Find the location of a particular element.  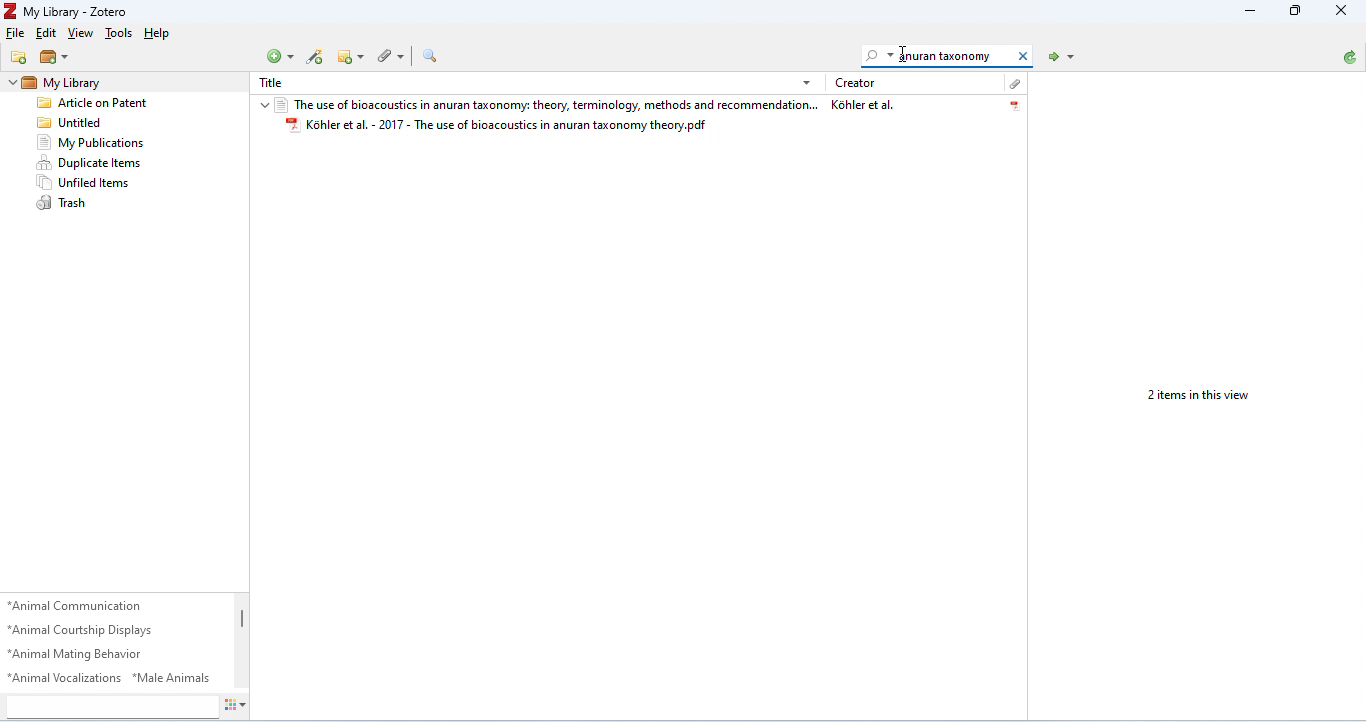

Add Item by Identifier is located at coordinates (313, 58).